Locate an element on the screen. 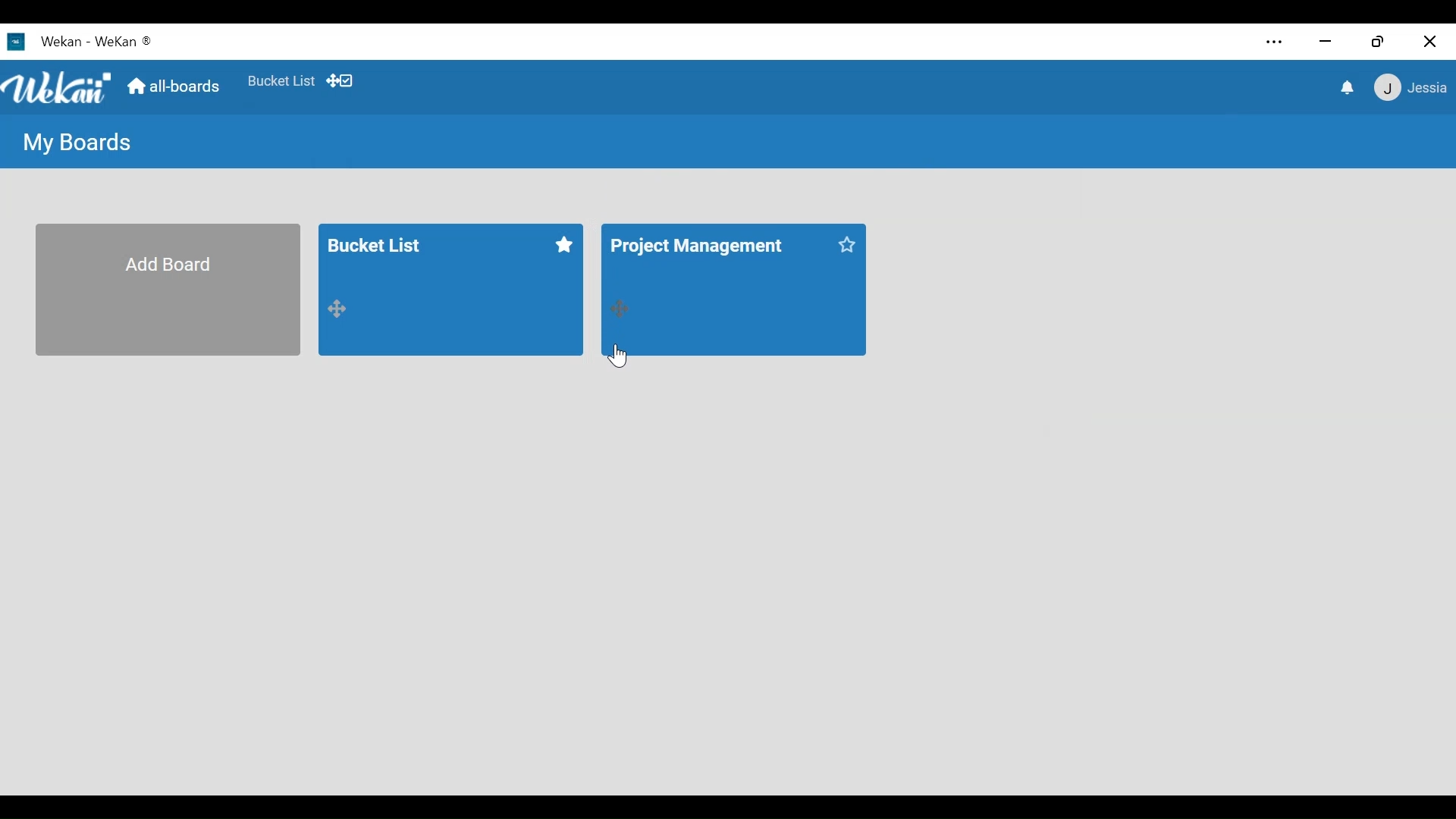 The width and height of the screenshot is (1456, 819). Home (all-boards) is located at coordinates (172, 86).